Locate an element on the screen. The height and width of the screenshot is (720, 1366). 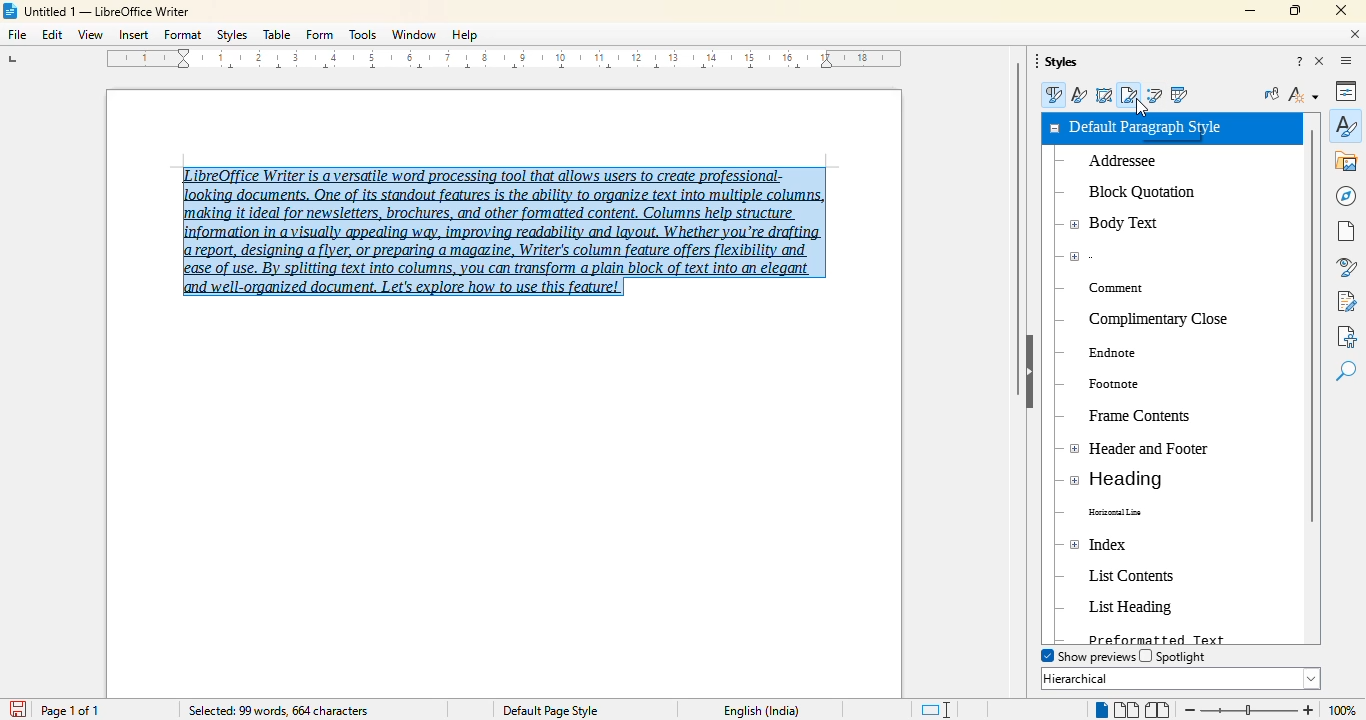
styles is located at coordinates (1059, 62).